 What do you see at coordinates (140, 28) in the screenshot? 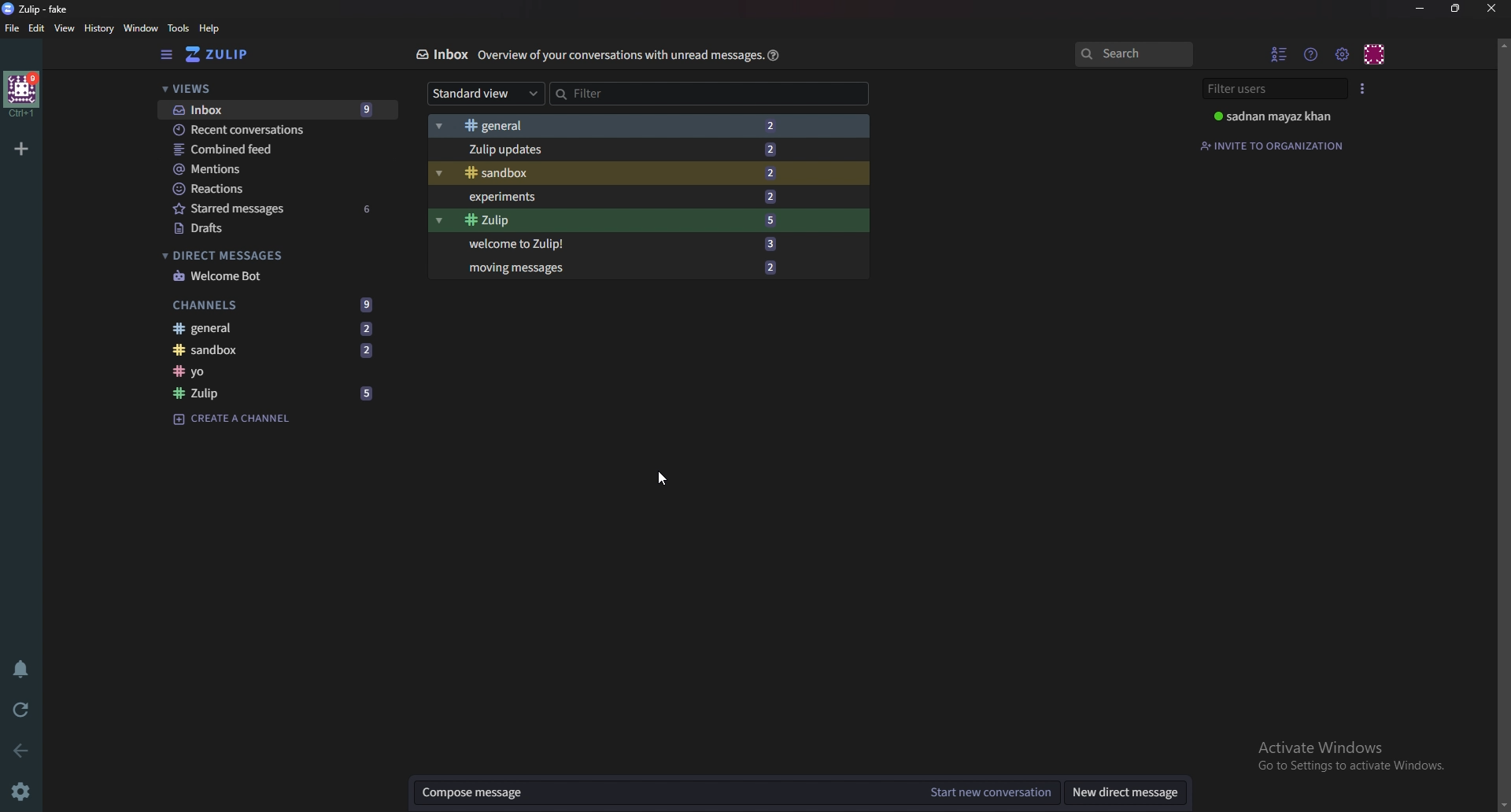
I see `window` at bounding box center [140, 28].